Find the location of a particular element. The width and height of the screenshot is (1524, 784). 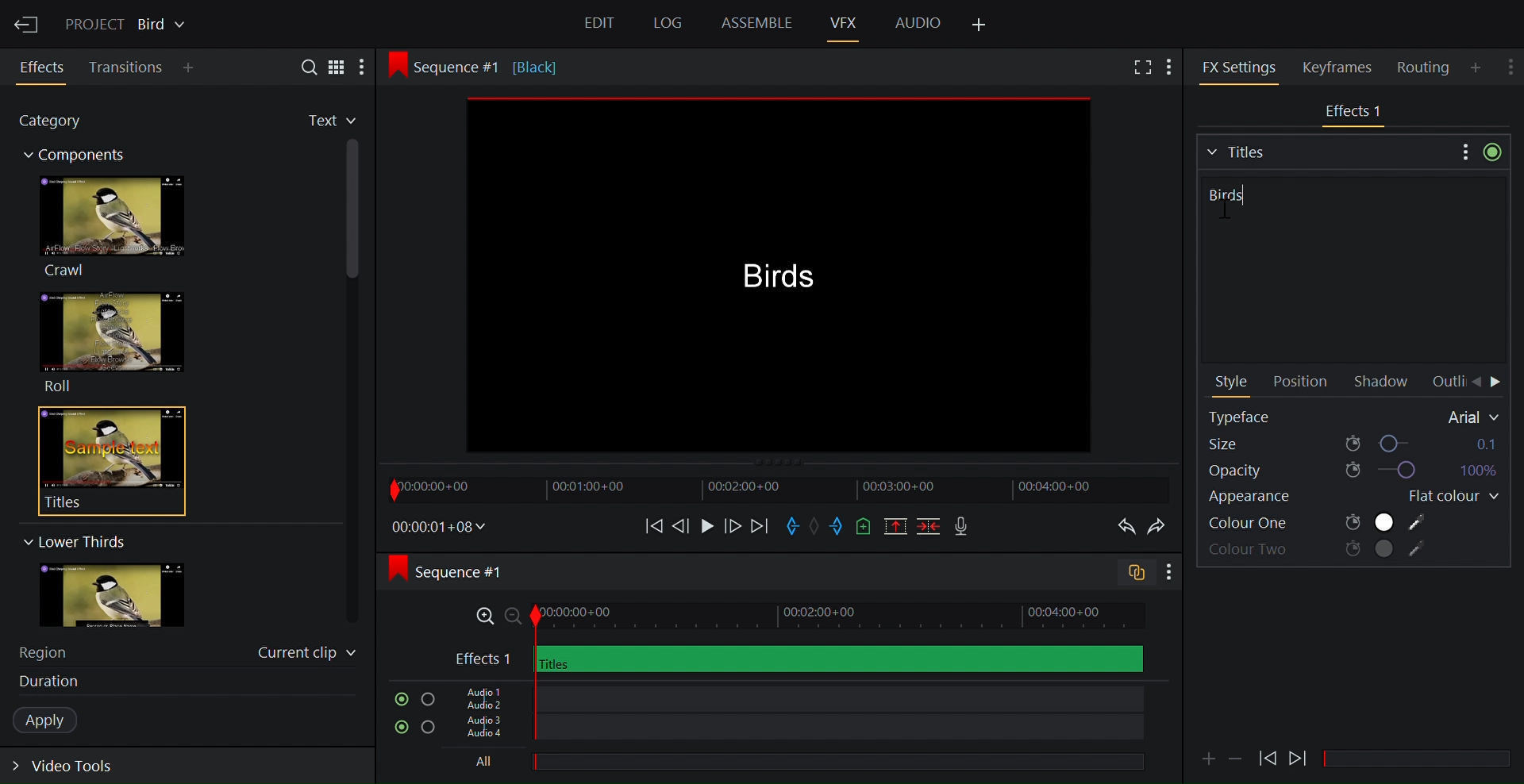

Style is located at coordinates (1233, 383).